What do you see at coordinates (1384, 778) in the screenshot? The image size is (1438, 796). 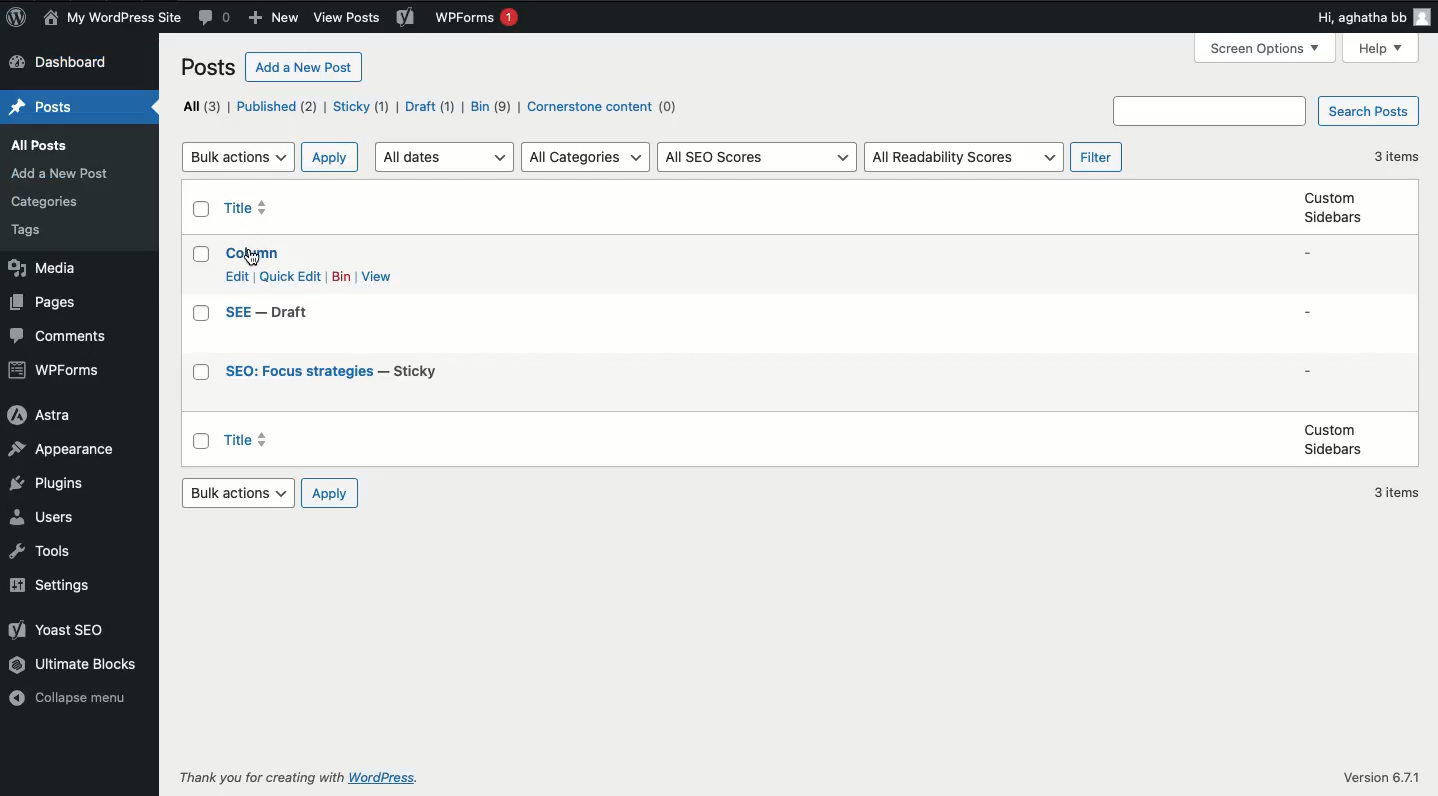 I see `` at bounding box center [1384, 778].